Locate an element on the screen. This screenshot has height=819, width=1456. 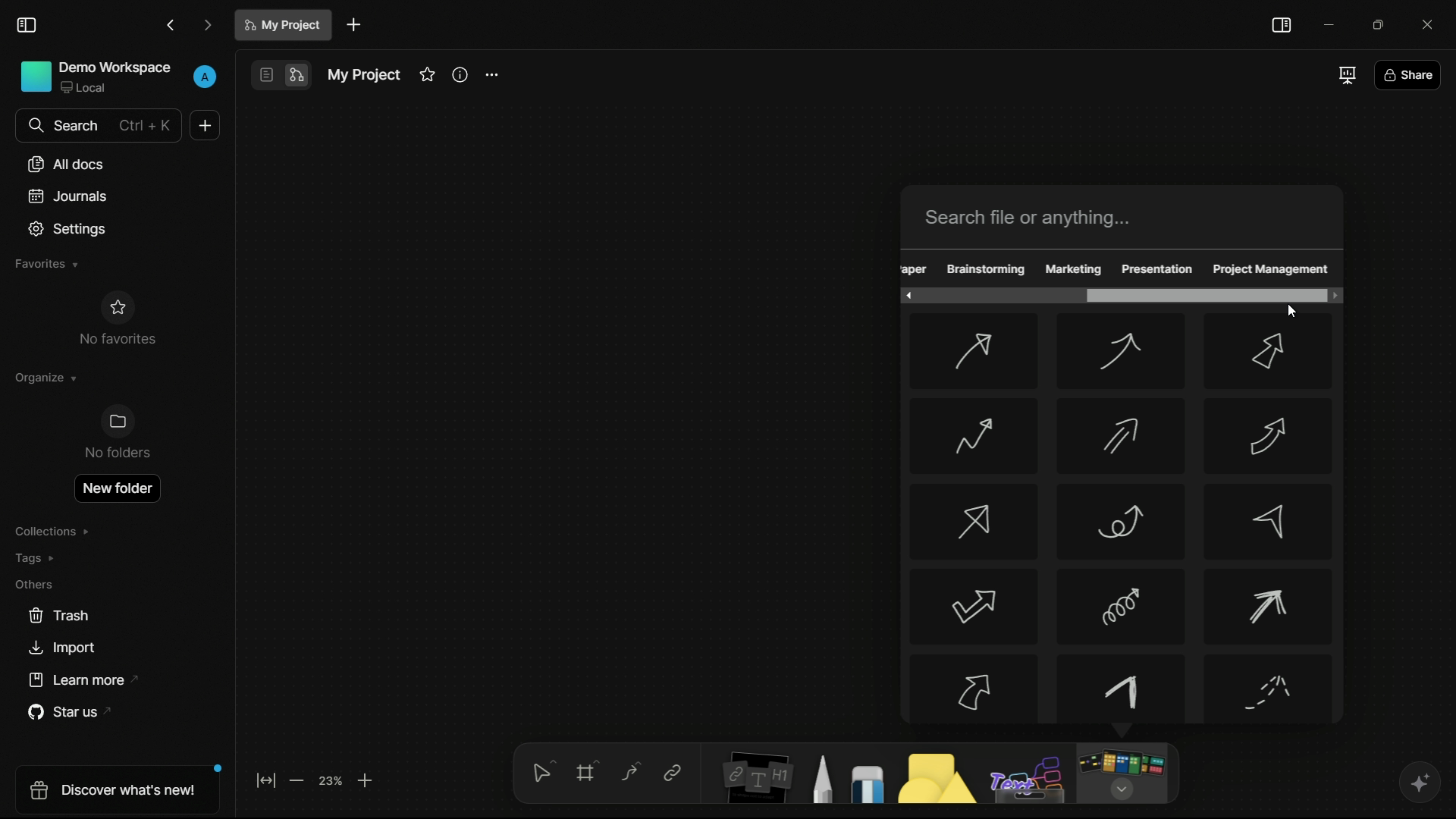
eraser is located at coordinates (868, 783).